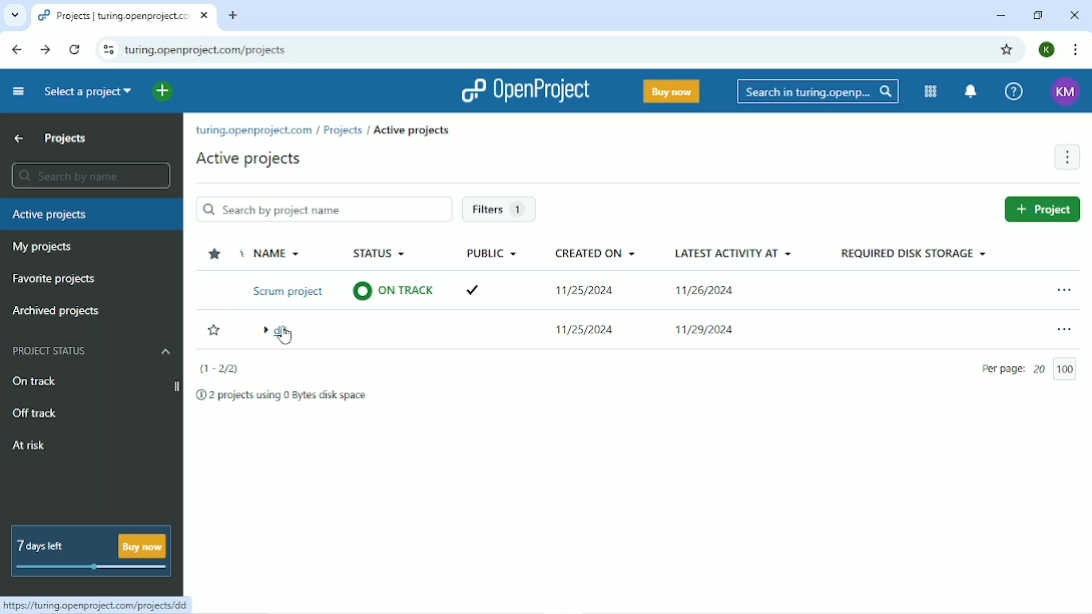 The width and height of the screenshot is (1092, 614). What do you see at coordinates (1047, 49) in the screenshot?
I see `Account` at bounding box center [1047, 49].